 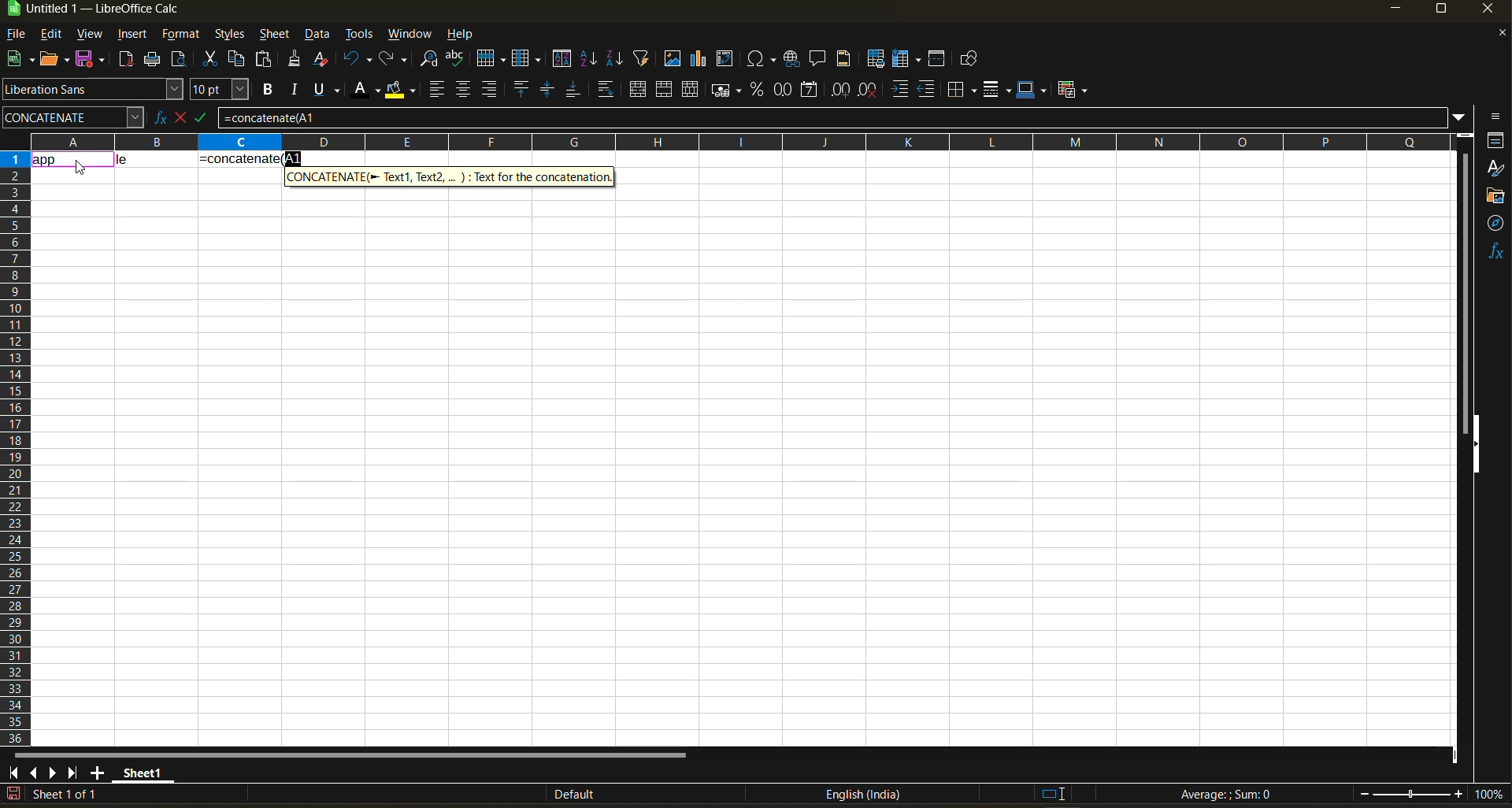 I want to click on standard selection, so click(x=1053, y=793).